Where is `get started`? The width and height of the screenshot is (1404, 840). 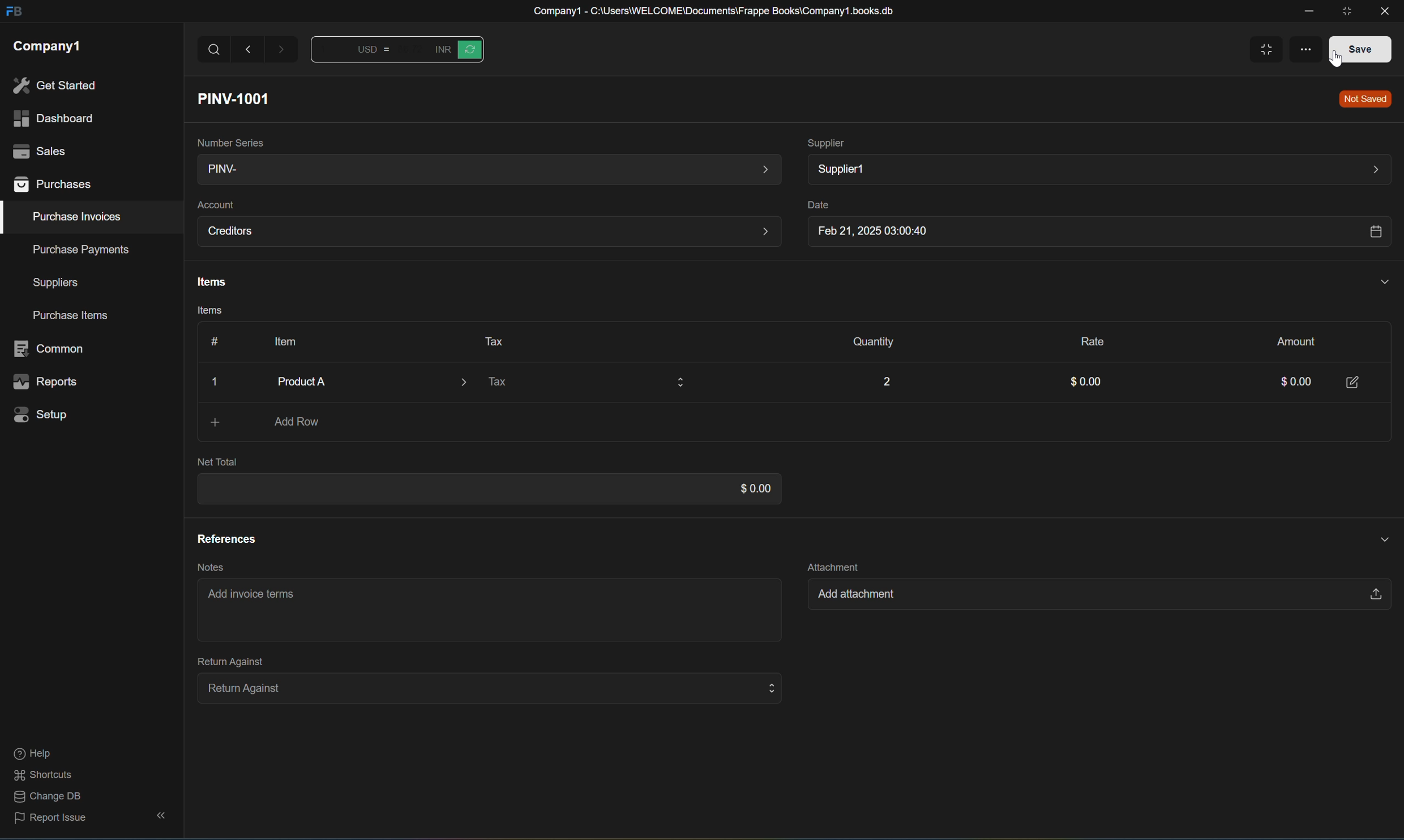
get started is located at coordinates (54, 85).